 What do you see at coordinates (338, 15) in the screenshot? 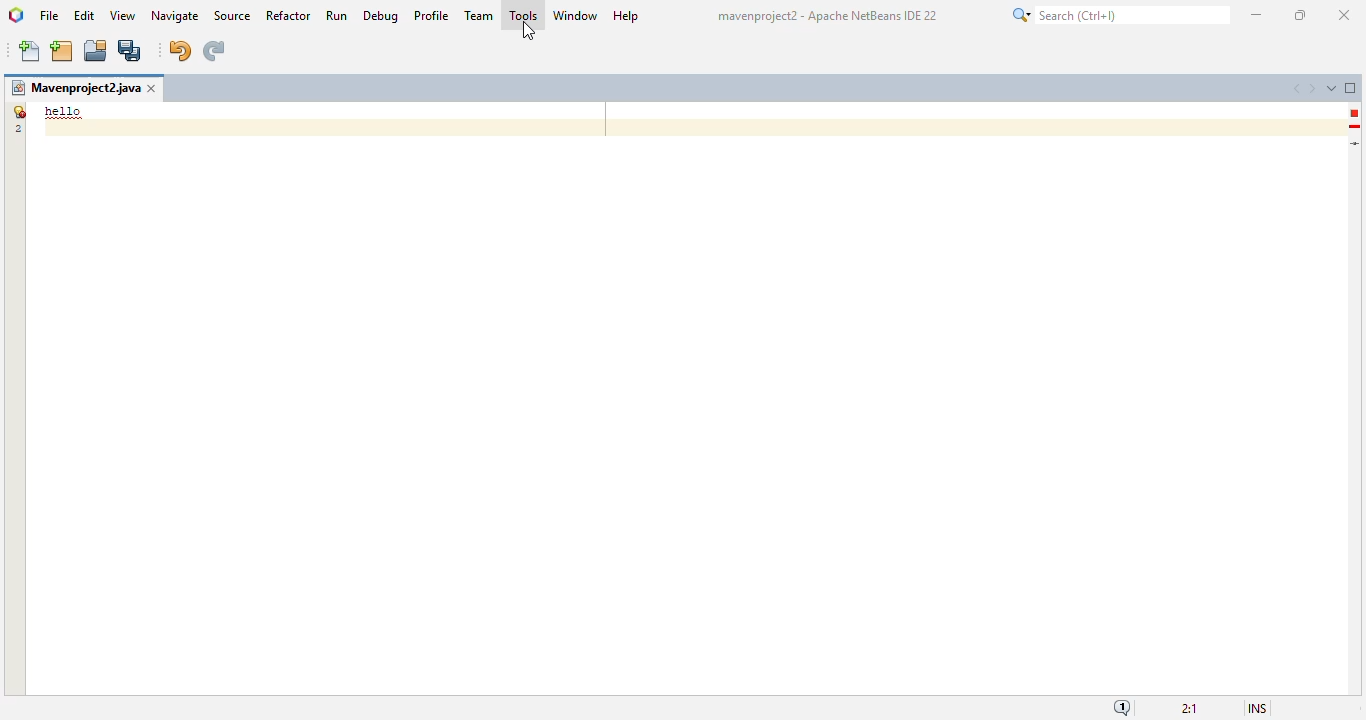
I see `run` at bounding box center [338, 15].